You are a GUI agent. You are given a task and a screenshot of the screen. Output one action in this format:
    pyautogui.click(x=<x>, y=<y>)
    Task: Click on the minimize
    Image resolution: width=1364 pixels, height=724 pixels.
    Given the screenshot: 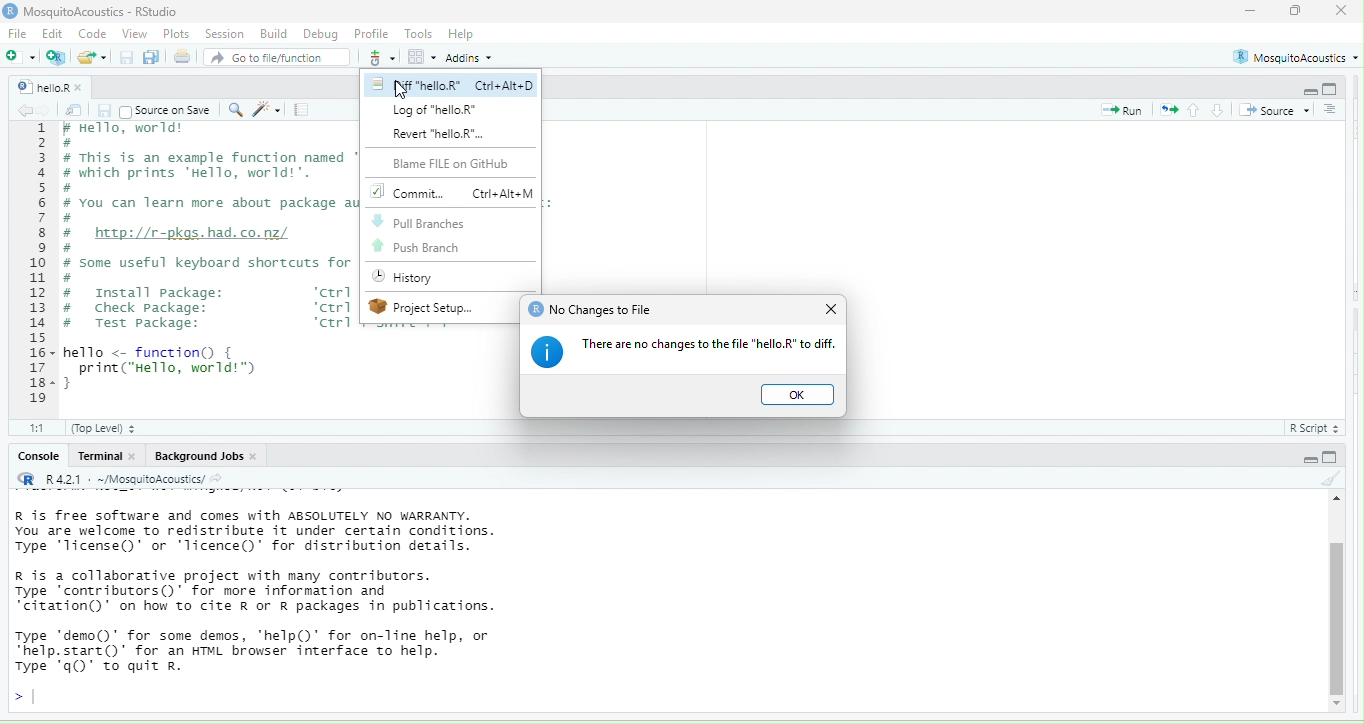 What is the action you would take?
    pyautogui.click(x=1253, y=11)
    